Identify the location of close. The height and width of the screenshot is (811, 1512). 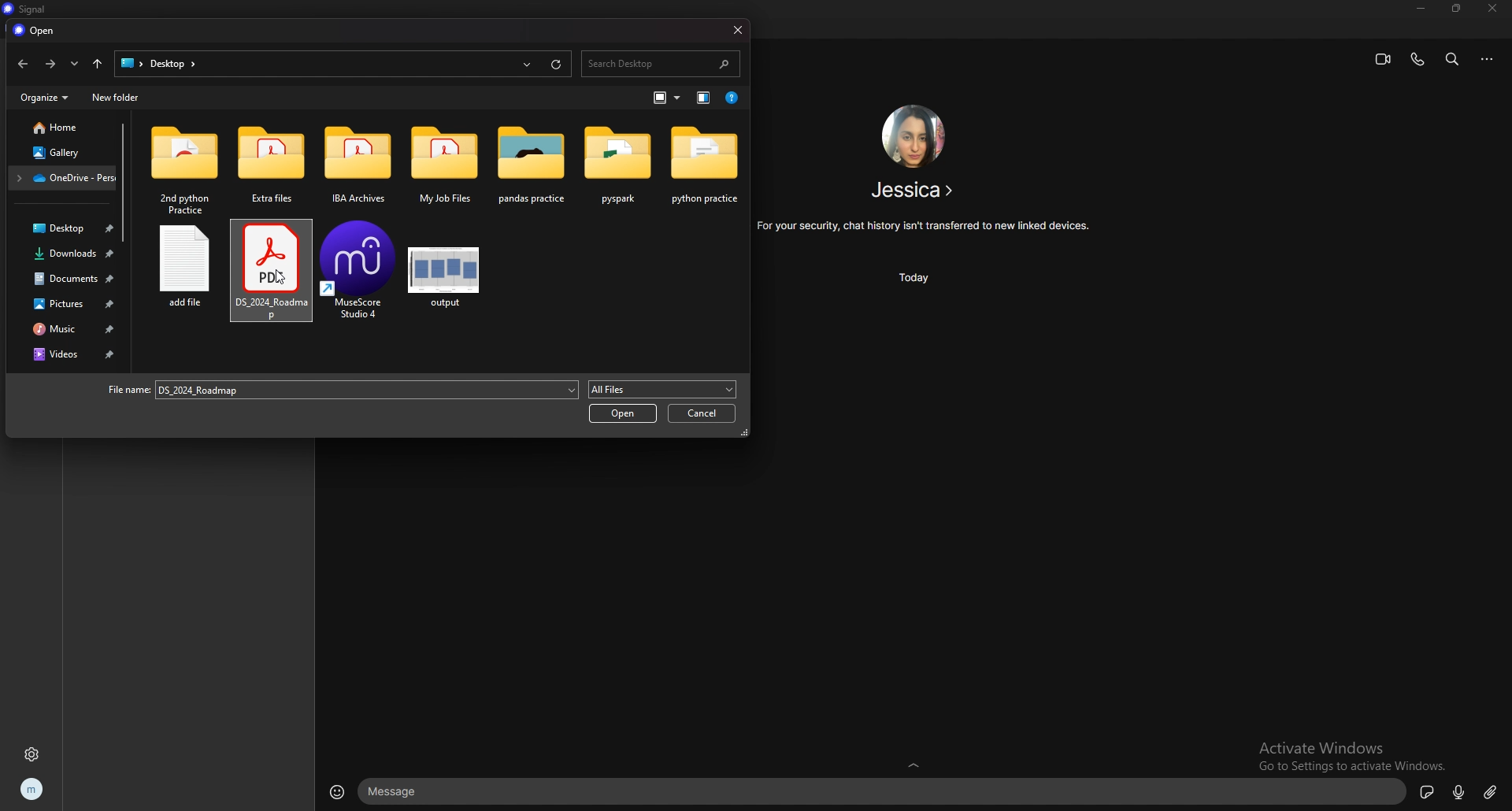
(736, 29).